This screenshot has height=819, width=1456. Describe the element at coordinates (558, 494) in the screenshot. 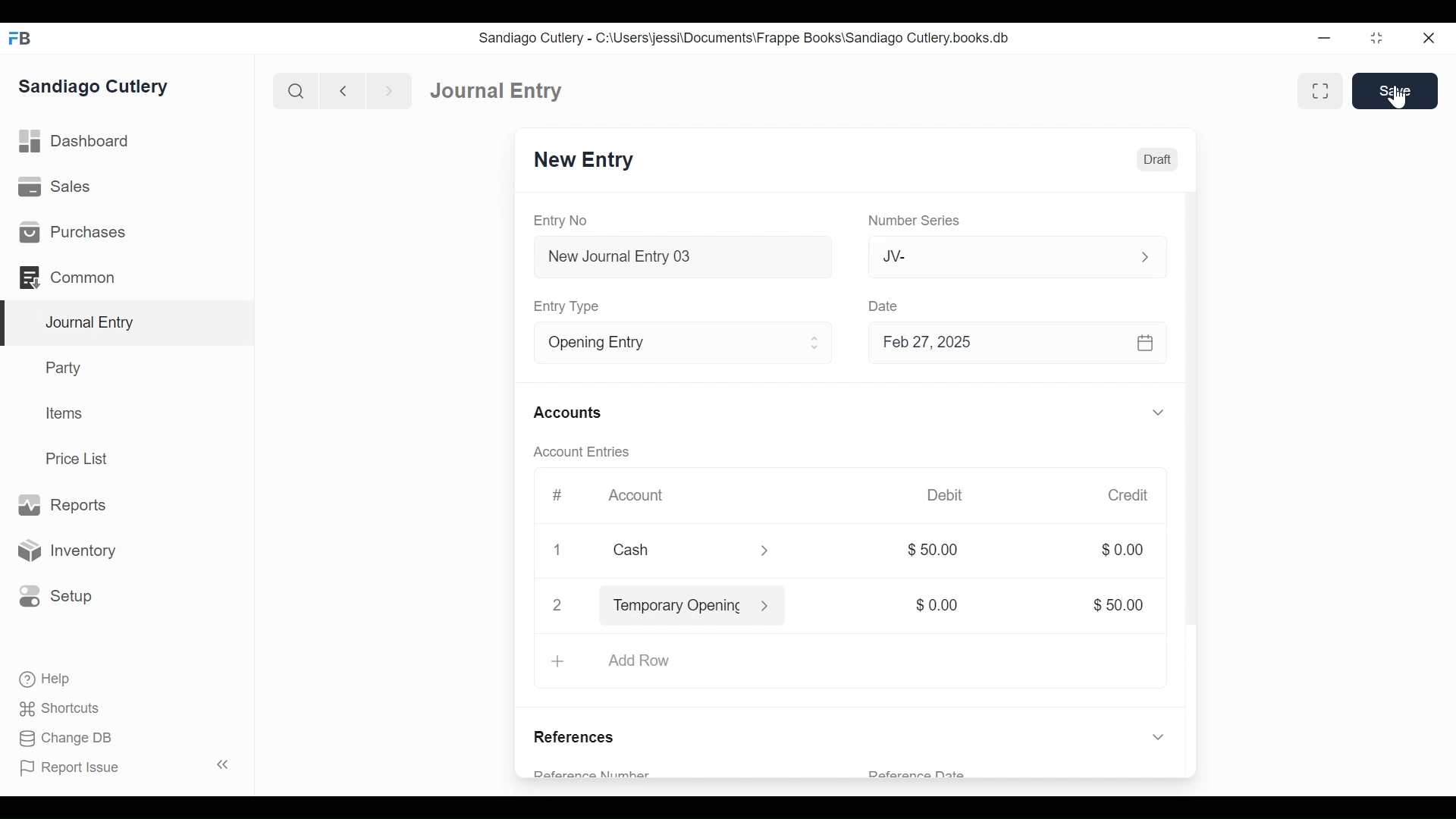

I see `#` at that location.